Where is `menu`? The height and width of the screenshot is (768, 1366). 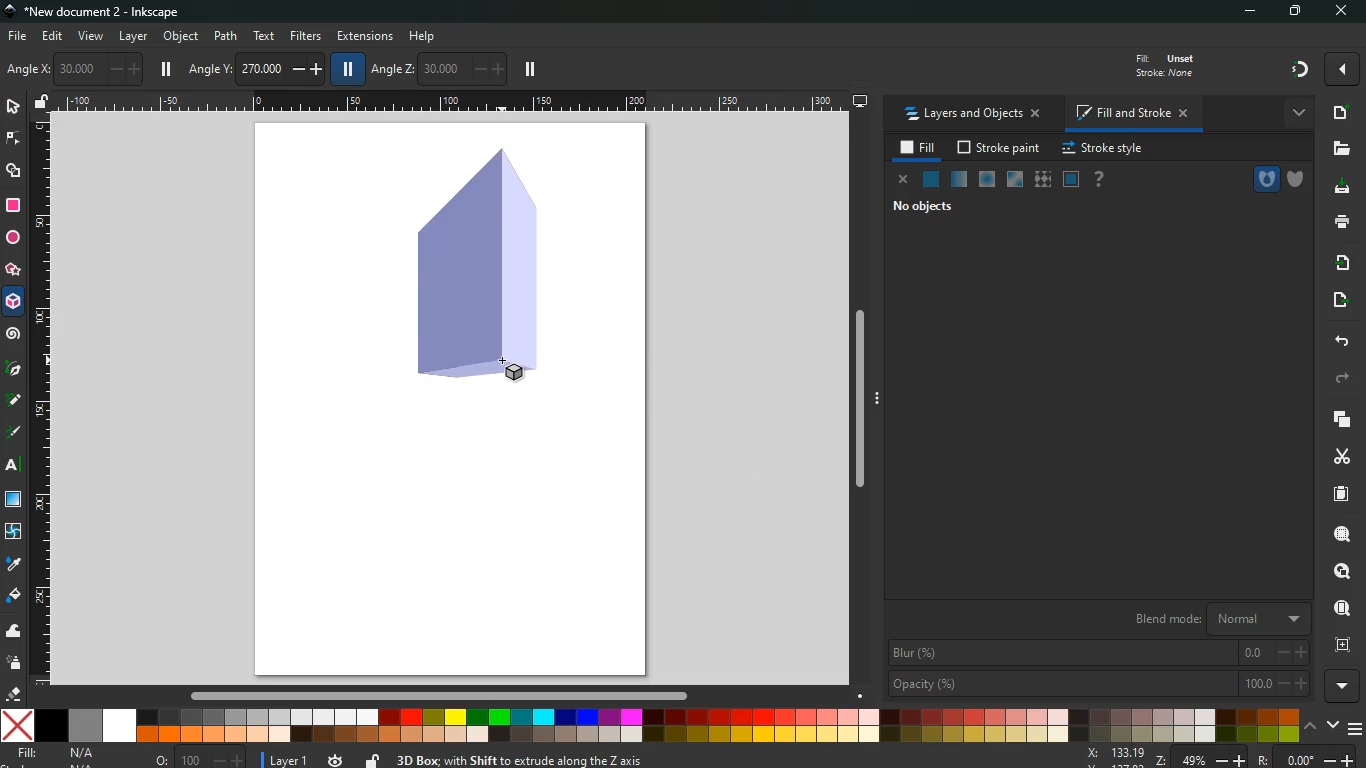
menu is located at coordinates (1357, 729).